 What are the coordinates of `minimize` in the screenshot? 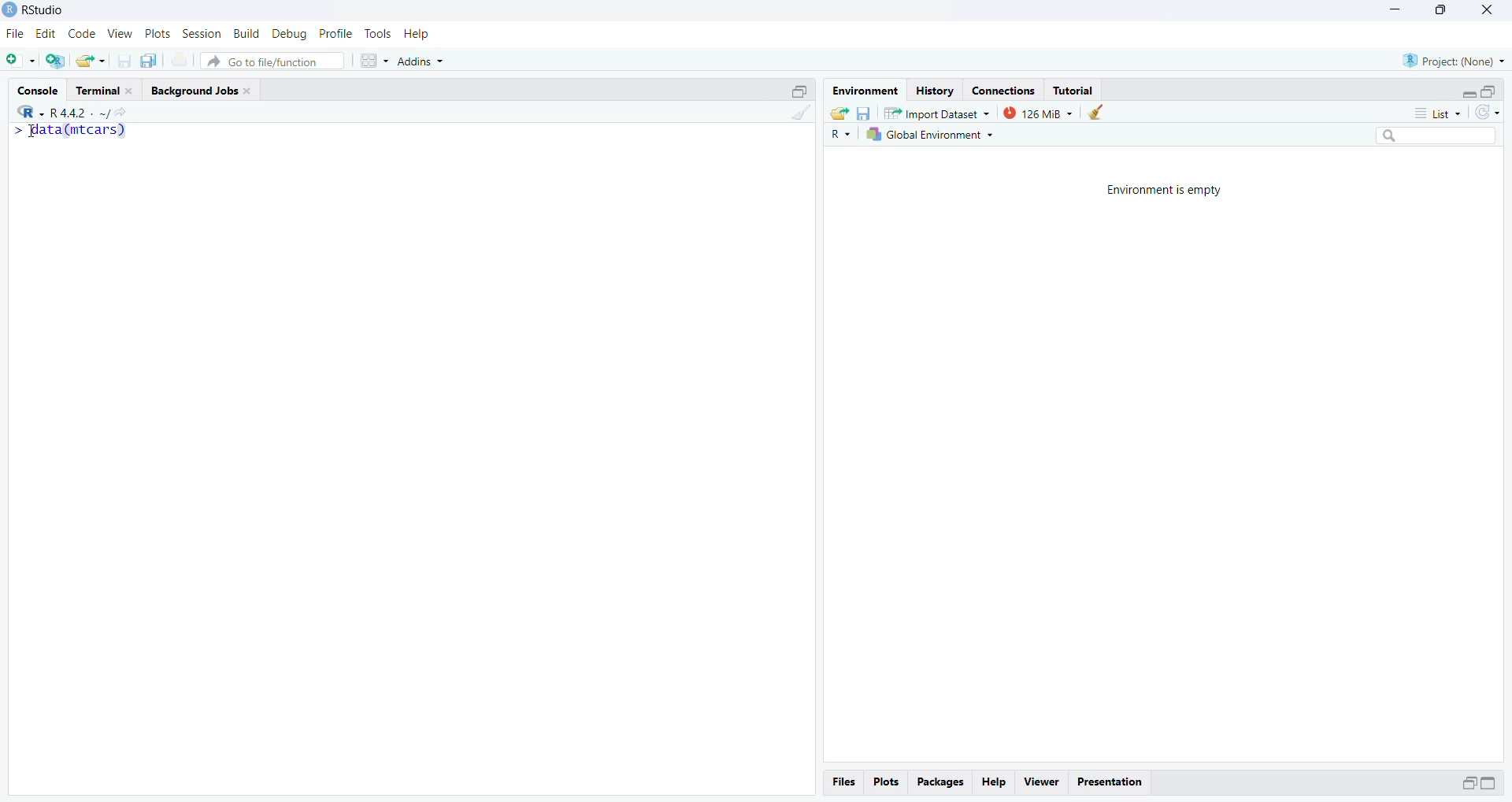 It's located at (1396, 9).